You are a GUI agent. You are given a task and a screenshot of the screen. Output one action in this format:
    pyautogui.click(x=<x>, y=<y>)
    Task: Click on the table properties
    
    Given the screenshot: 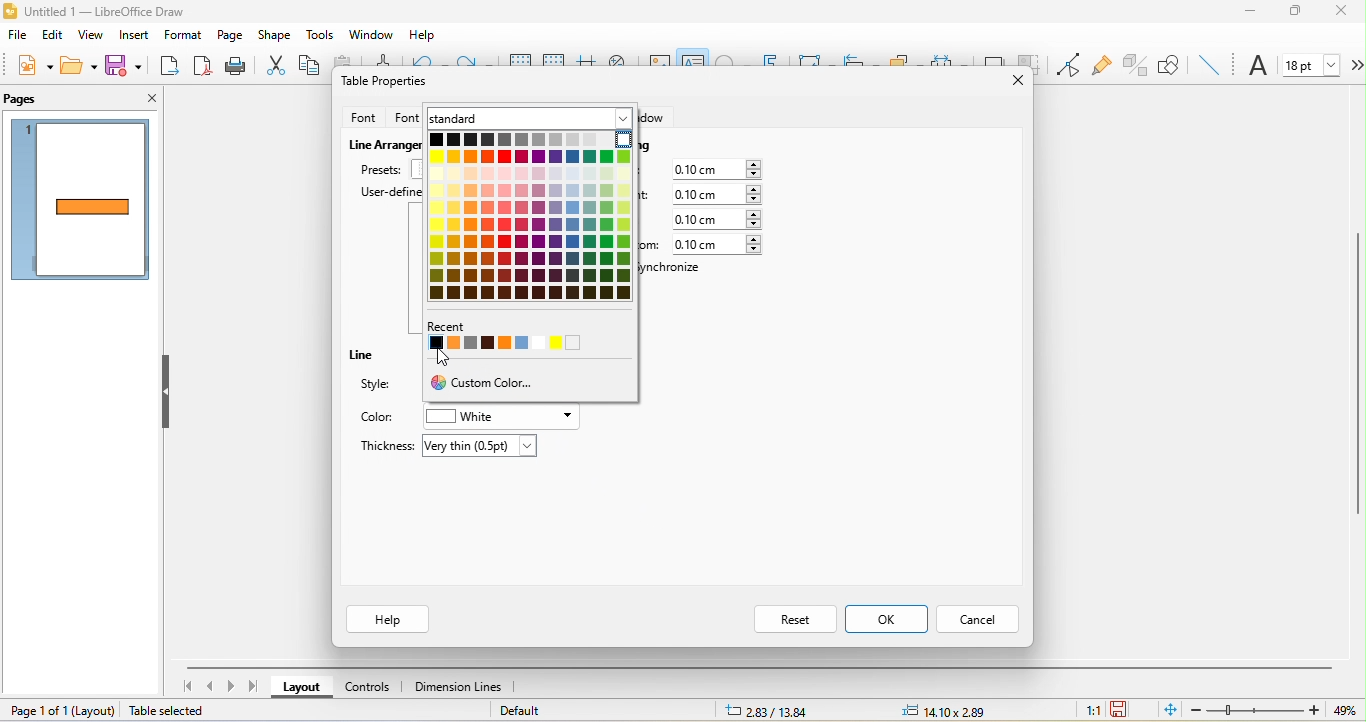 What is the action you would take?
    pyautogui.click(x=388, y=84)
    